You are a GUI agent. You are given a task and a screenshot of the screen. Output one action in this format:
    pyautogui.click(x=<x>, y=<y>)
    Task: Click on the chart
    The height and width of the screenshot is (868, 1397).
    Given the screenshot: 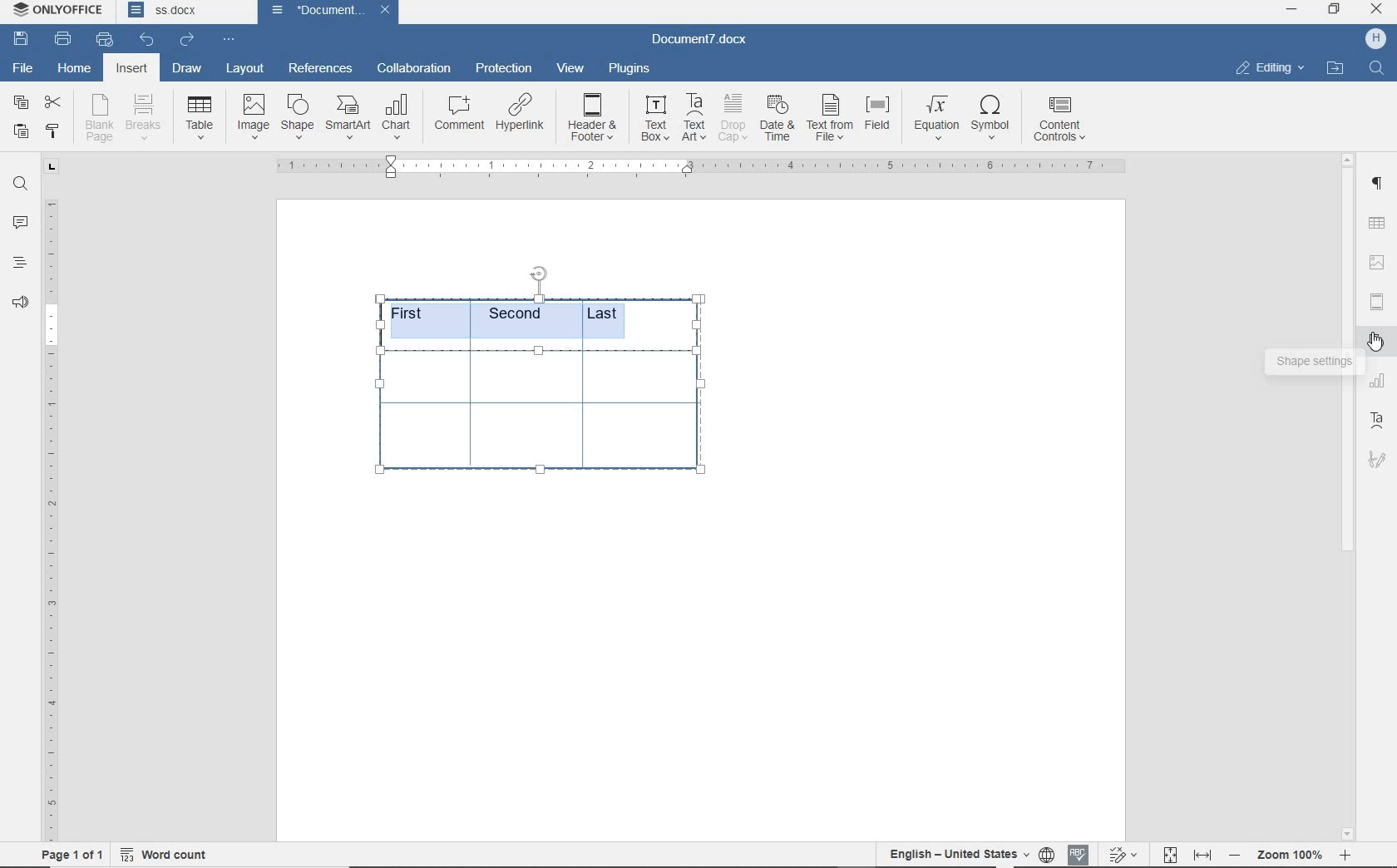 What is the action you would take?
    pyautogui.click(x=399, y=118)
    